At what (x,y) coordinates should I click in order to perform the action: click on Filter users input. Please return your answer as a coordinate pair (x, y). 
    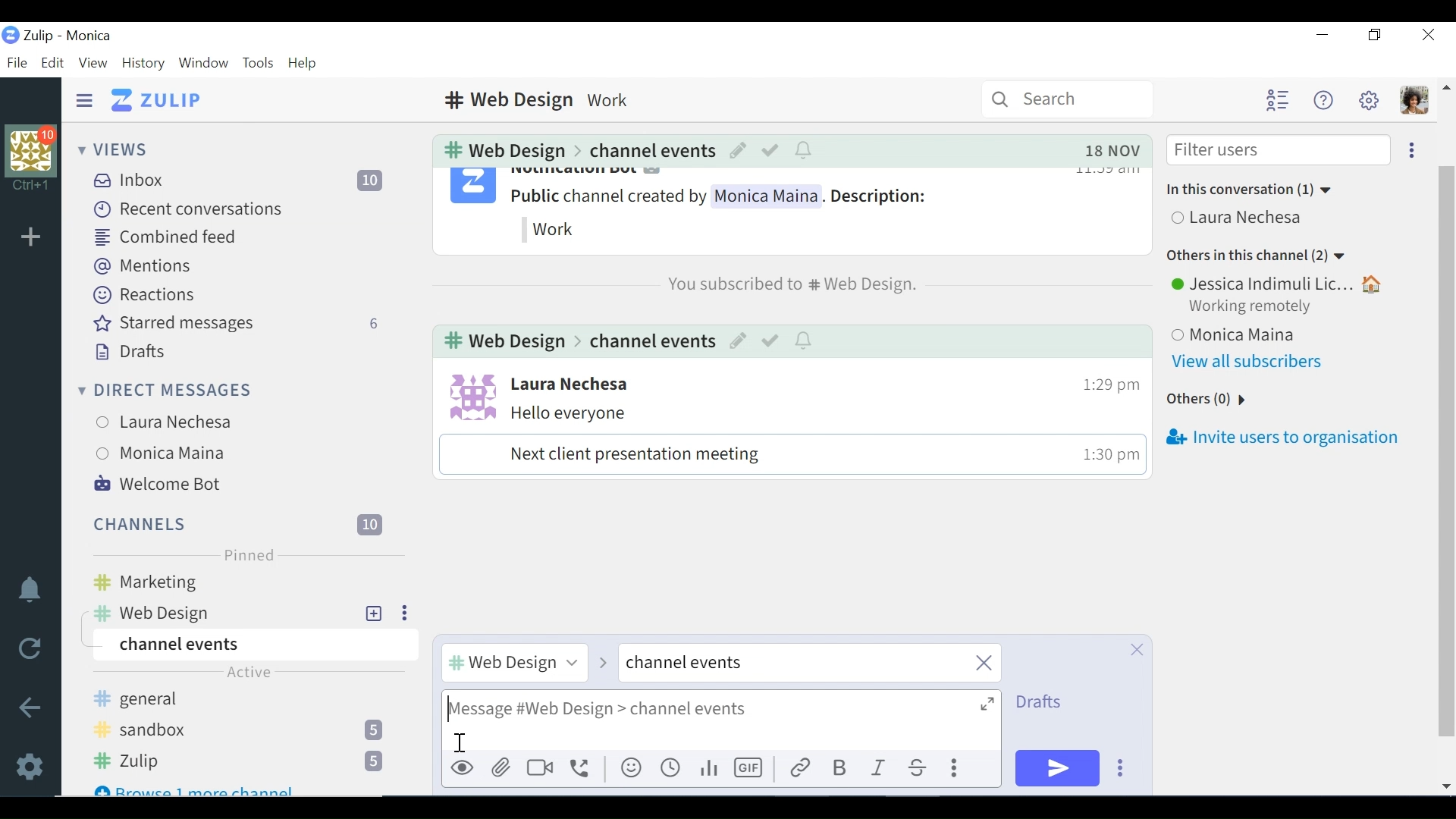
    Looking at the image, I should click on (1277, 151).